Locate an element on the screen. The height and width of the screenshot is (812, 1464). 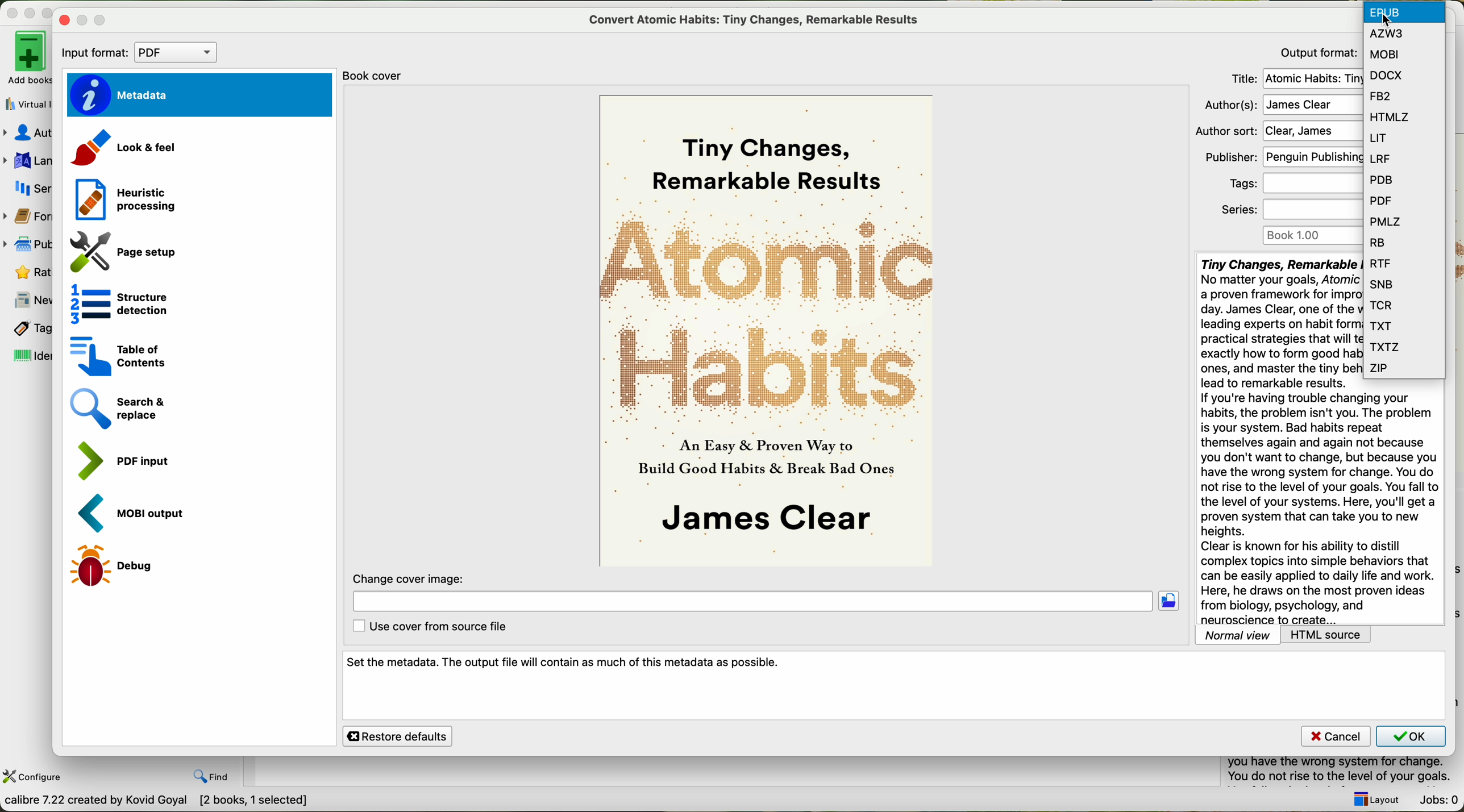
normal view is located at coordinates (1238, 635).